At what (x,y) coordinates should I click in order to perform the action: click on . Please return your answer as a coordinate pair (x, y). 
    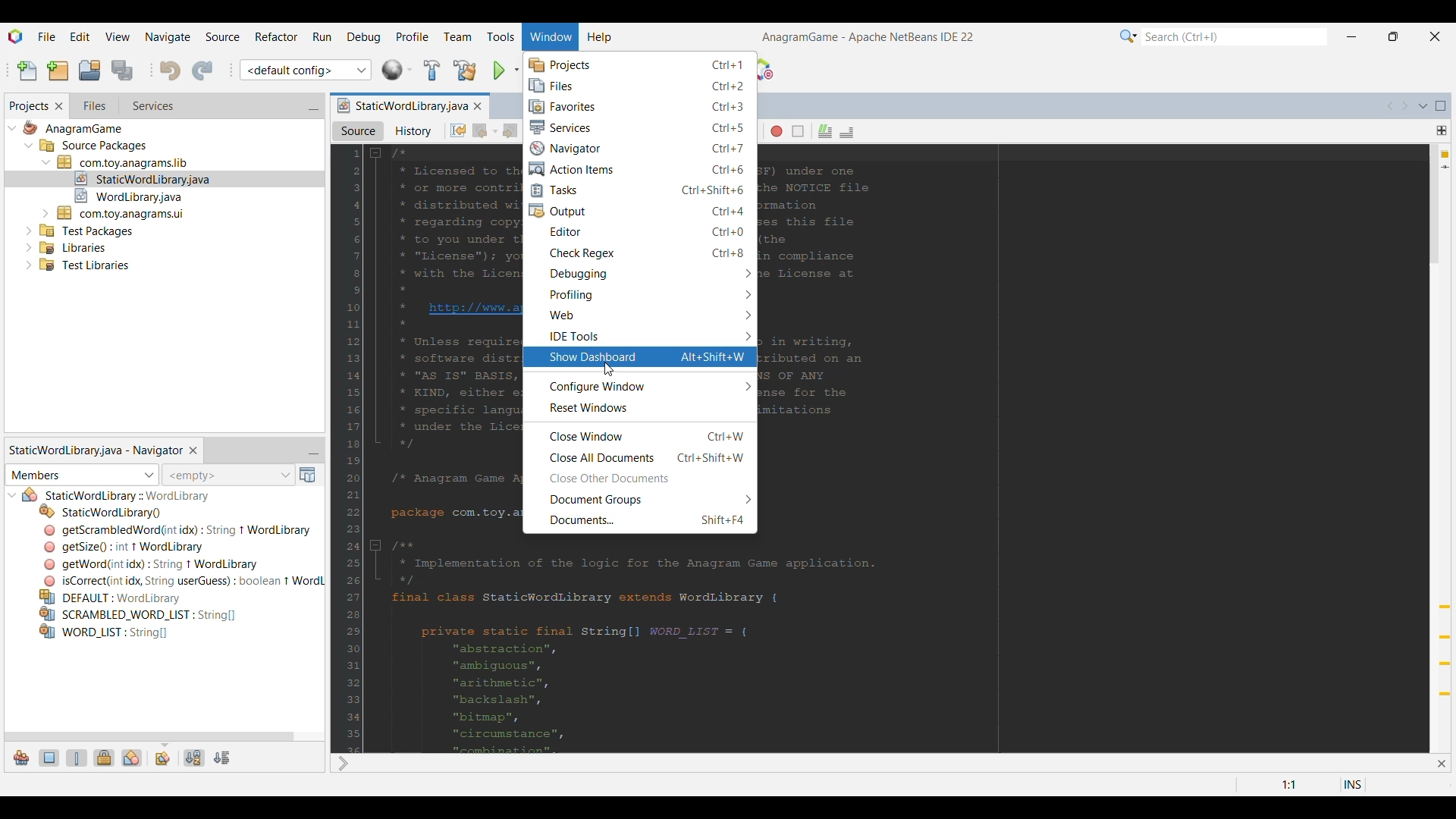
    Looking at the image, I should click on (343, 764).